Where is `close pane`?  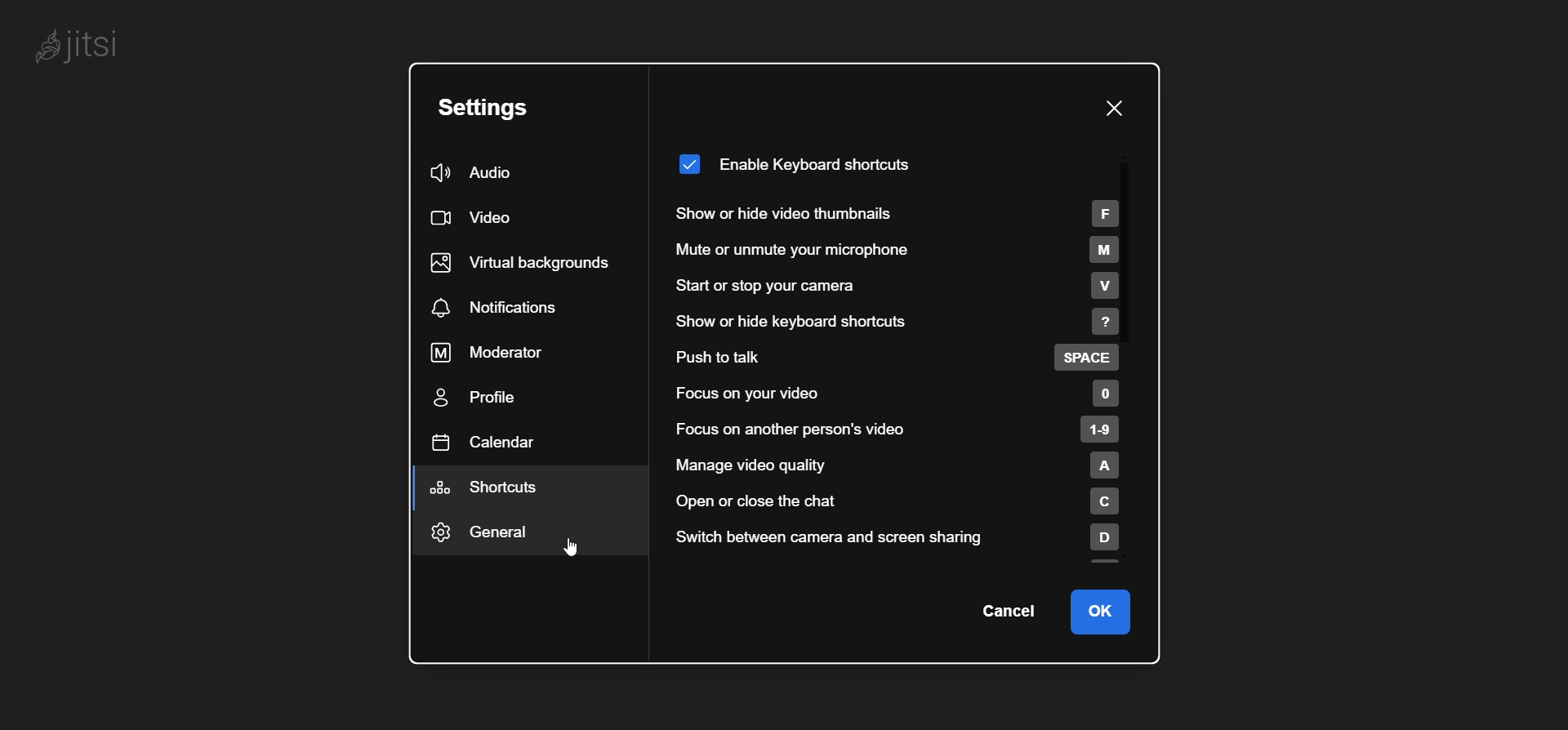
close pane is located at coordinates (1111, 110).